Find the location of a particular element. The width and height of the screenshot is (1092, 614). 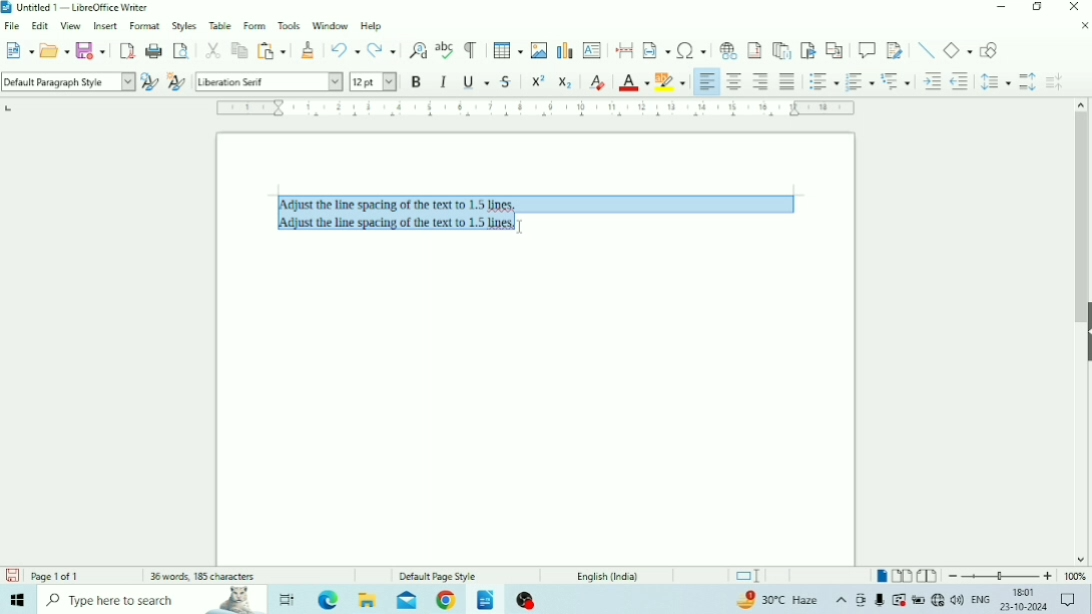

Insert Chart is located at coordinates (565, 49).